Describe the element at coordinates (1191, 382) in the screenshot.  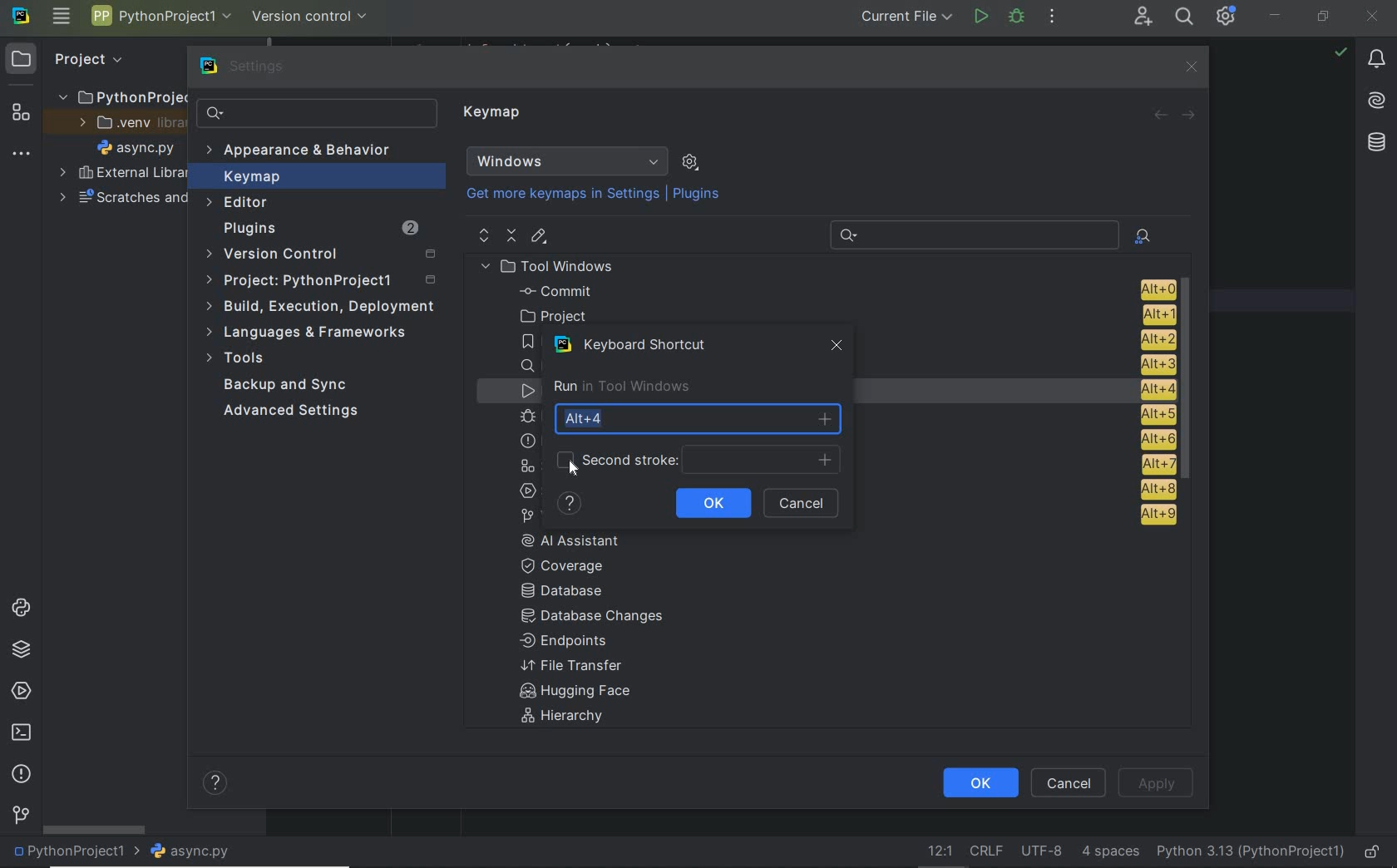
I see `scrollbar` at that location.